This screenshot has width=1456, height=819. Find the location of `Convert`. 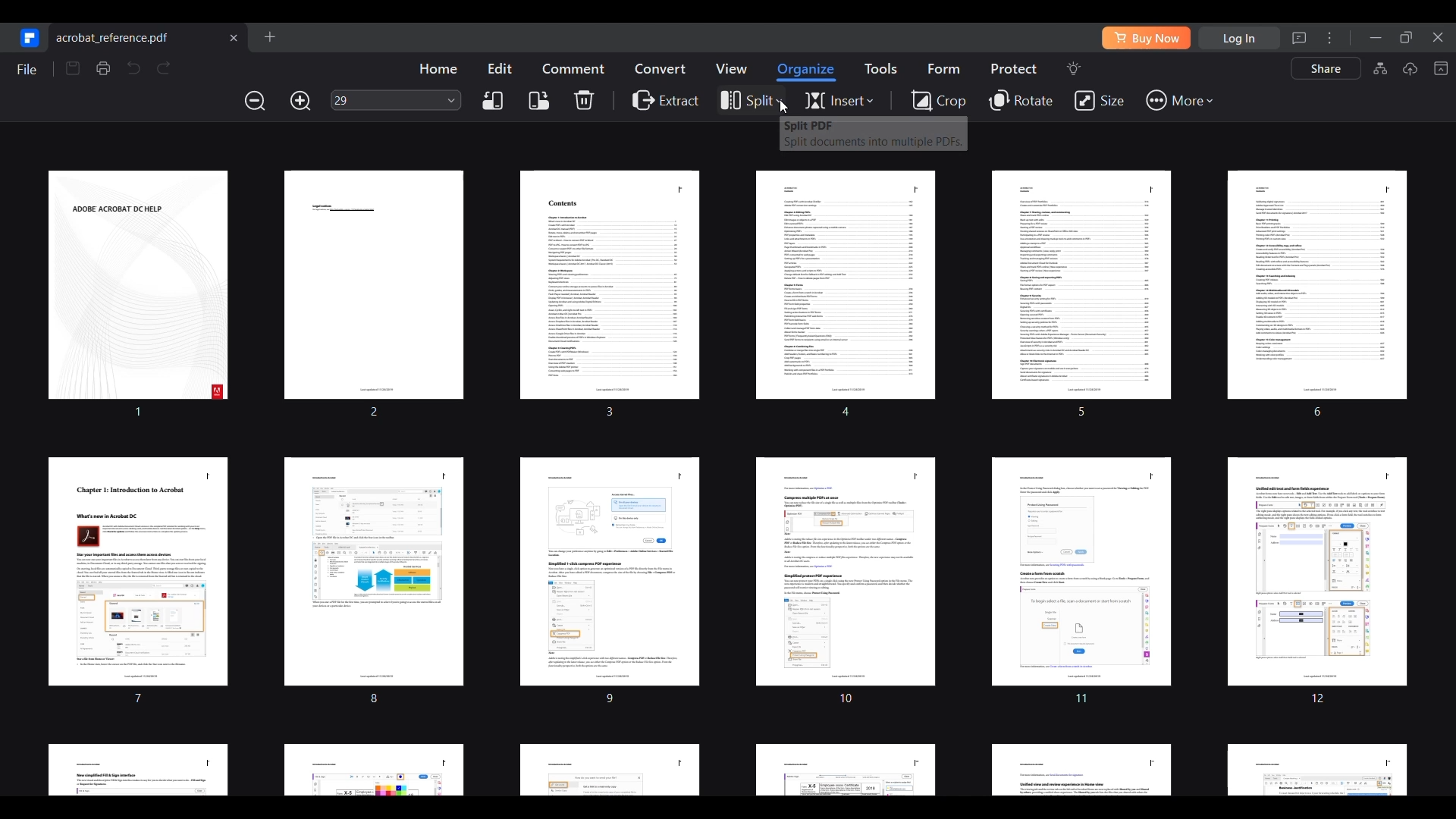

Convert is located at coordinates (661, 67).